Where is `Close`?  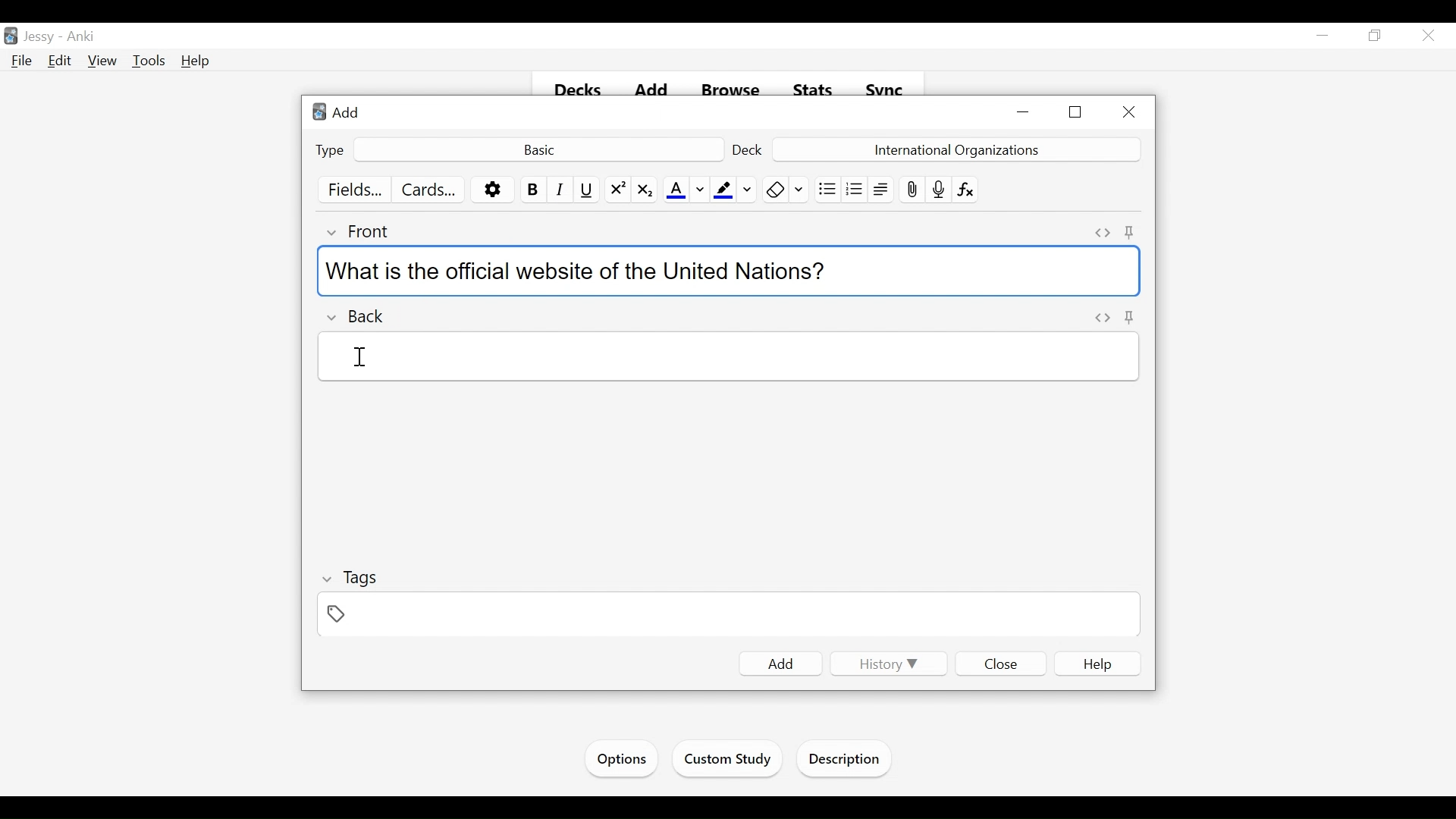 Close is located at coordinates (1430, 35).